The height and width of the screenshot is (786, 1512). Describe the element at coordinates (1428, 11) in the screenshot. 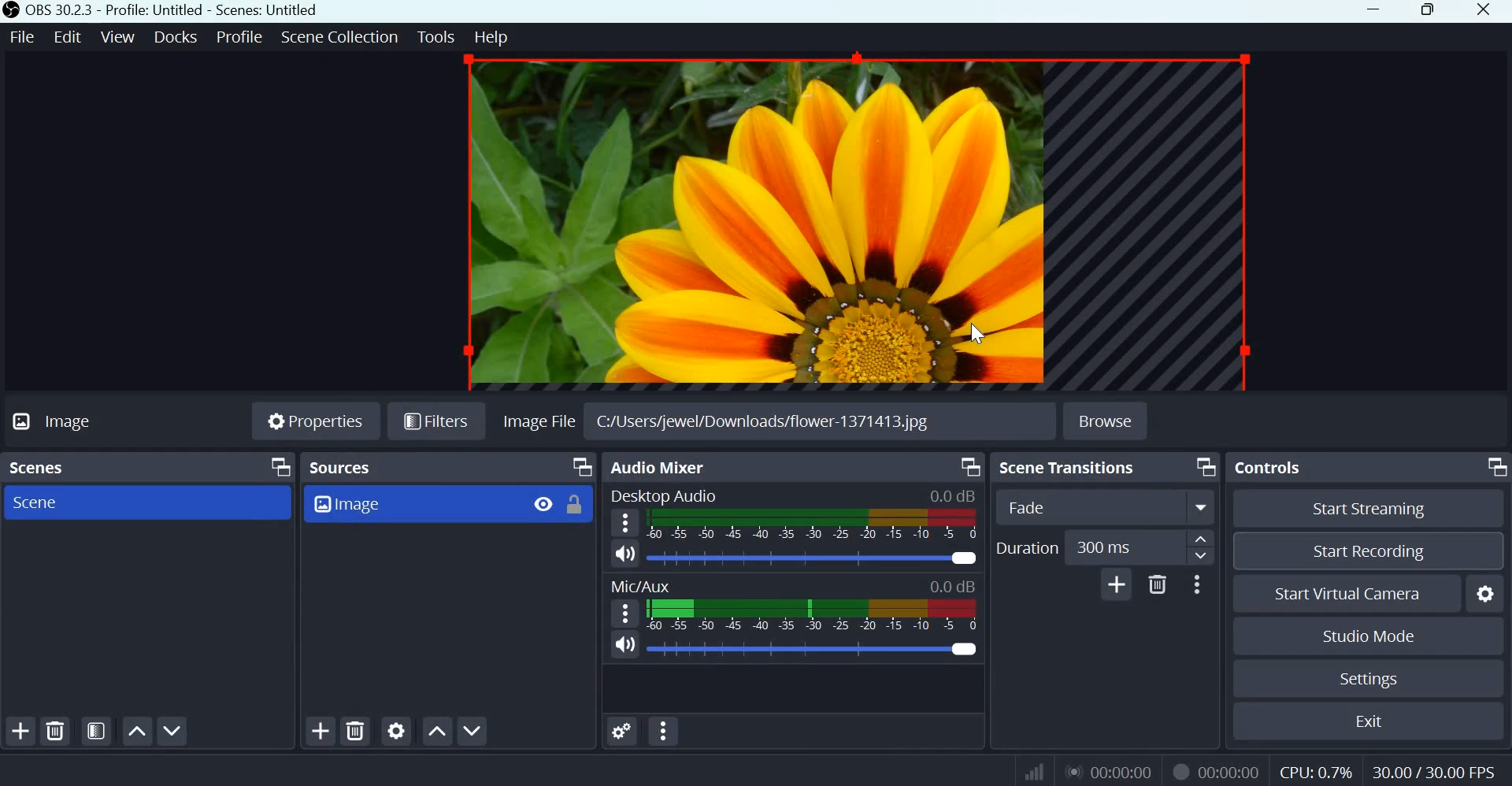

I see `Windows size toggle` at that location.